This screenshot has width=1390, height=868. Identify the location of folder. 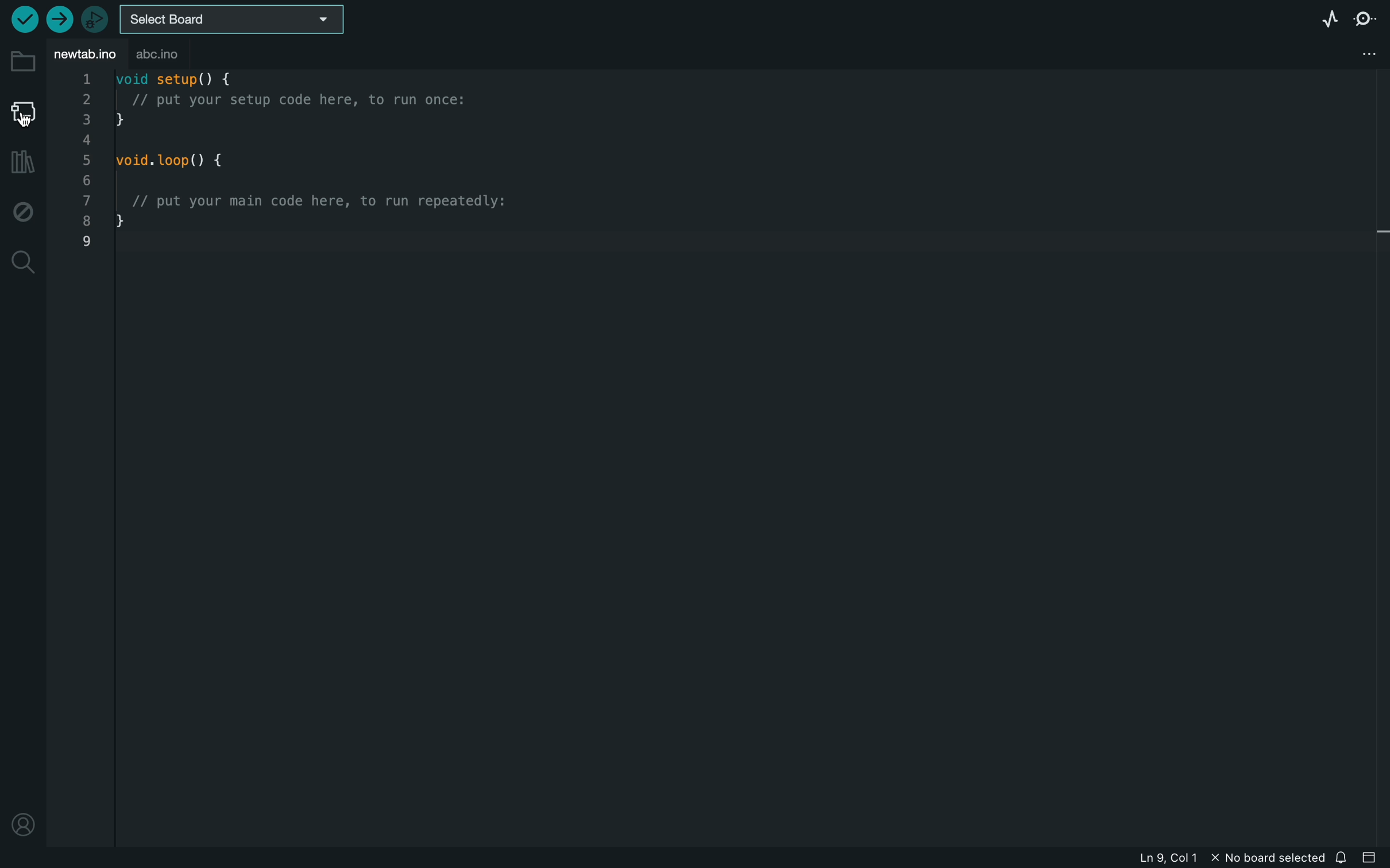
(21, 63).